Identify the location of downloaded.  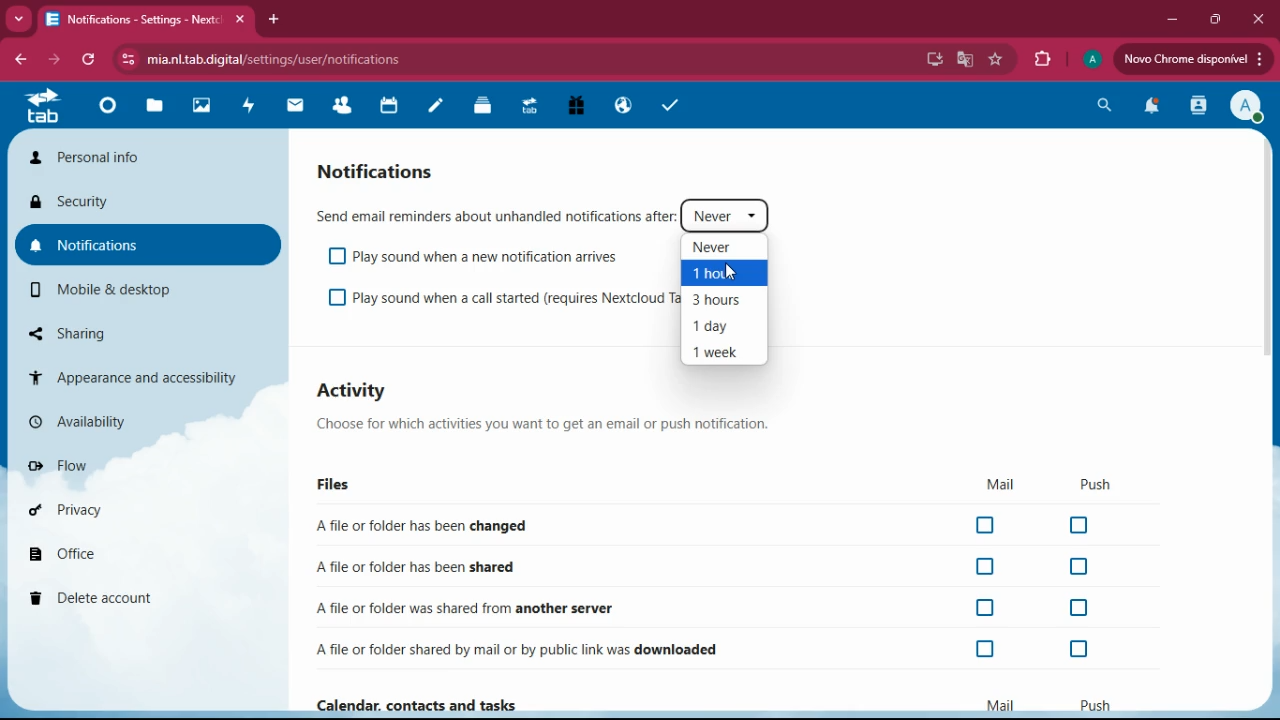
(523, 646).